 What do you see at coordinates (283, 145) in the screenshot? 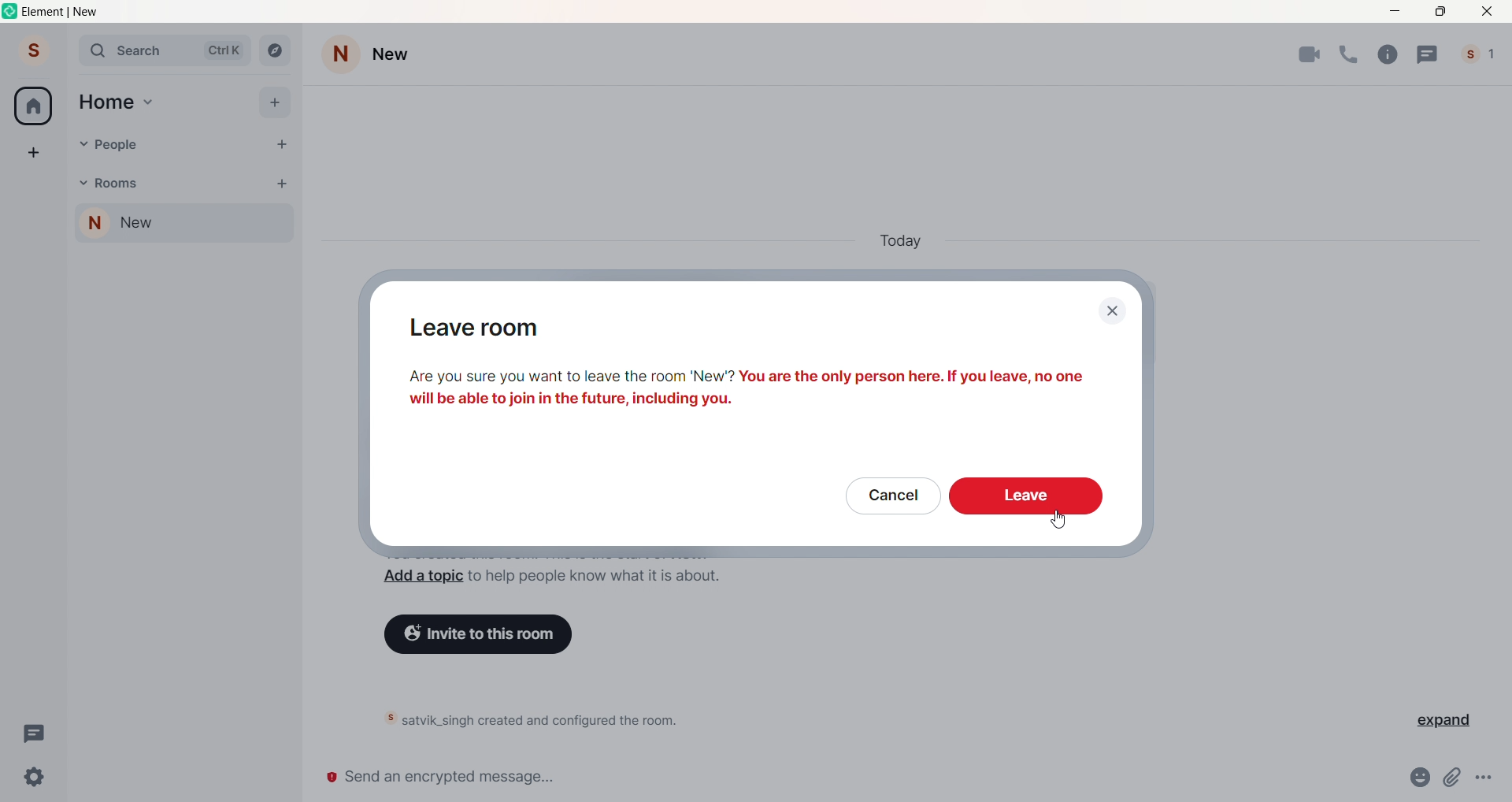
I see `Start Chat` at bounding box center [283, 145].